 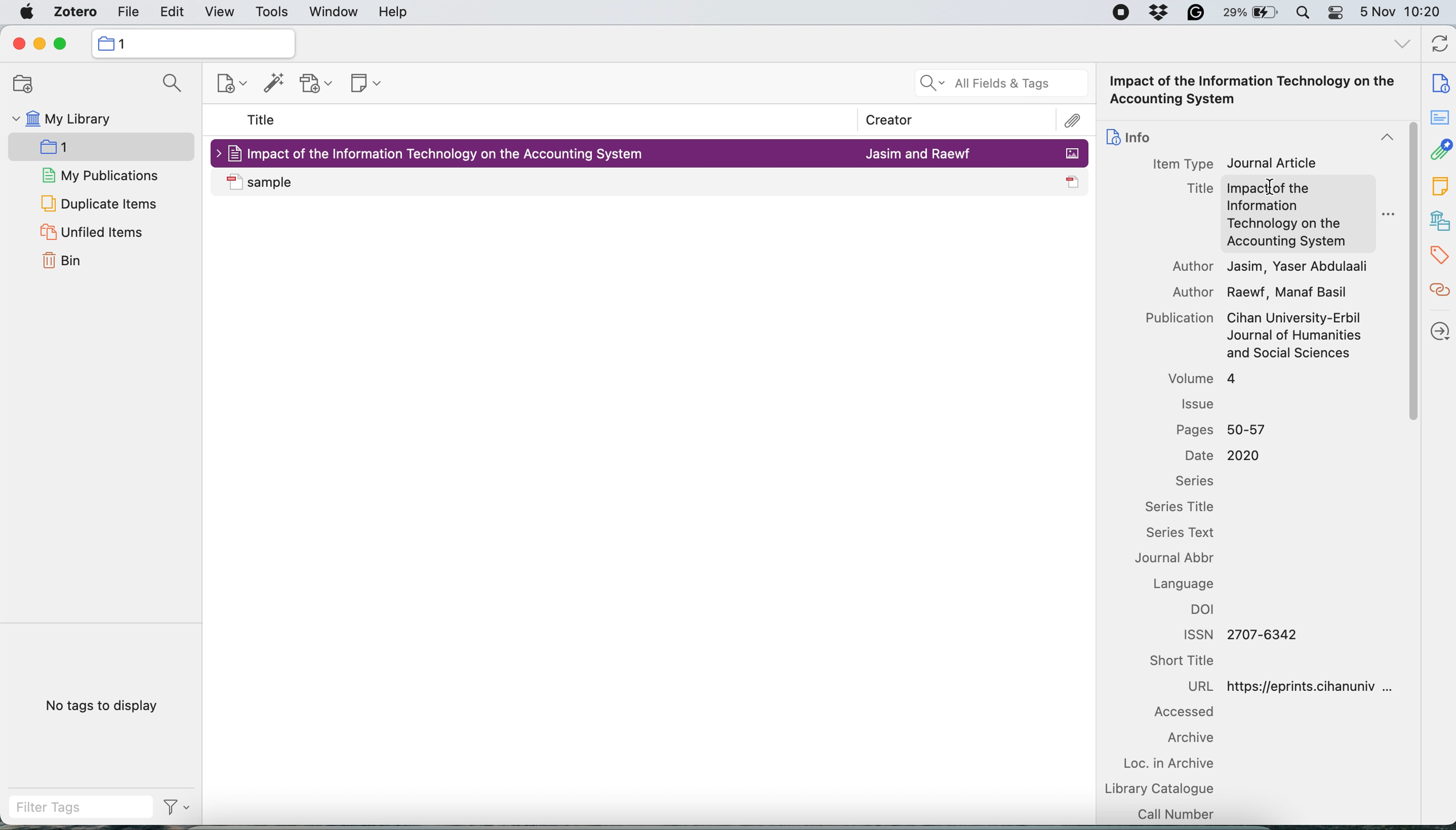 I want to click on 5 Nov 10:20, so click(x=1401, y=12).